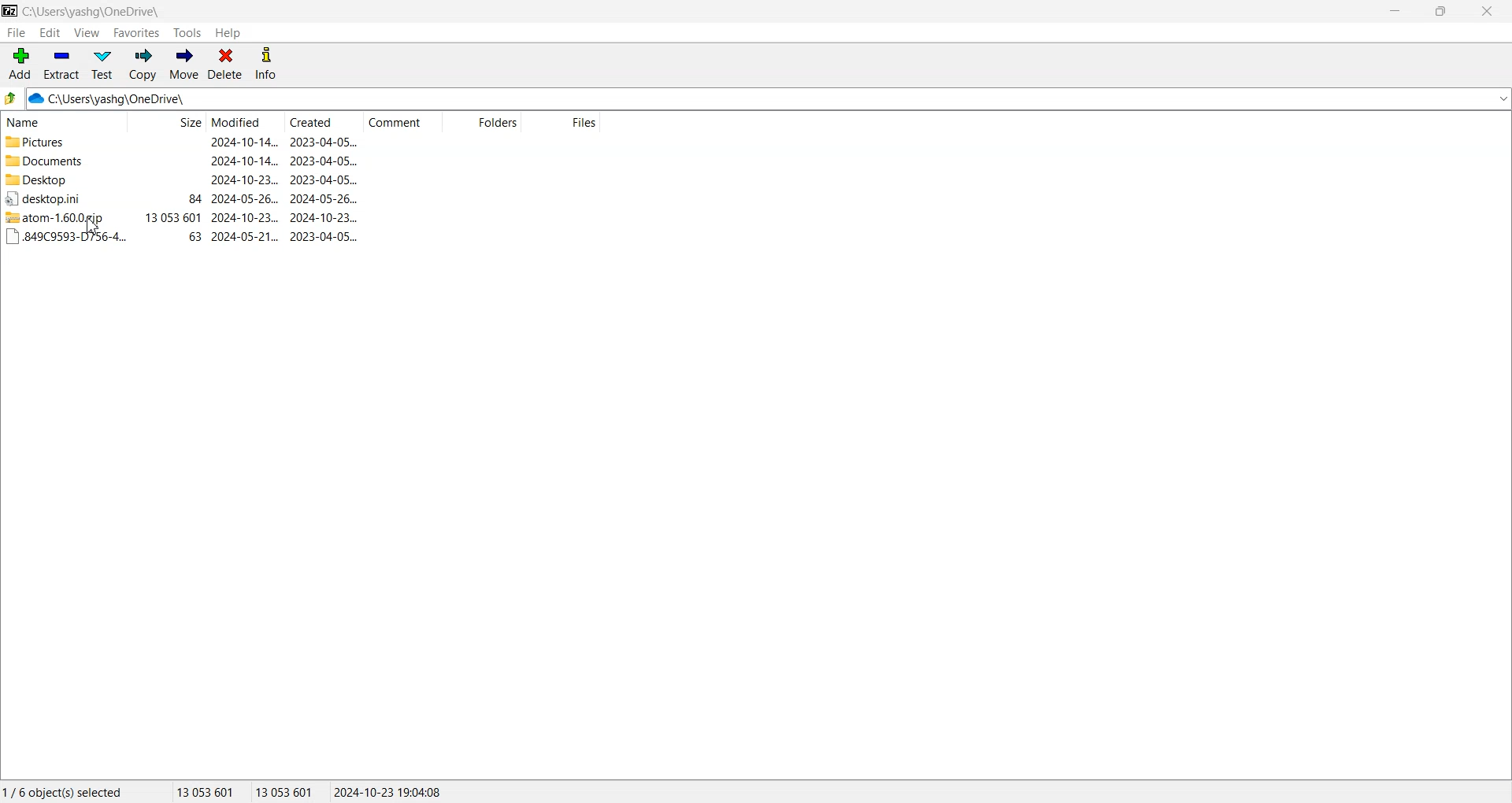 This screenshot has width=1512, height=803. Describe the element at coordinates (243, 160) in the screenshot. I see `2024-10-14` at that location.